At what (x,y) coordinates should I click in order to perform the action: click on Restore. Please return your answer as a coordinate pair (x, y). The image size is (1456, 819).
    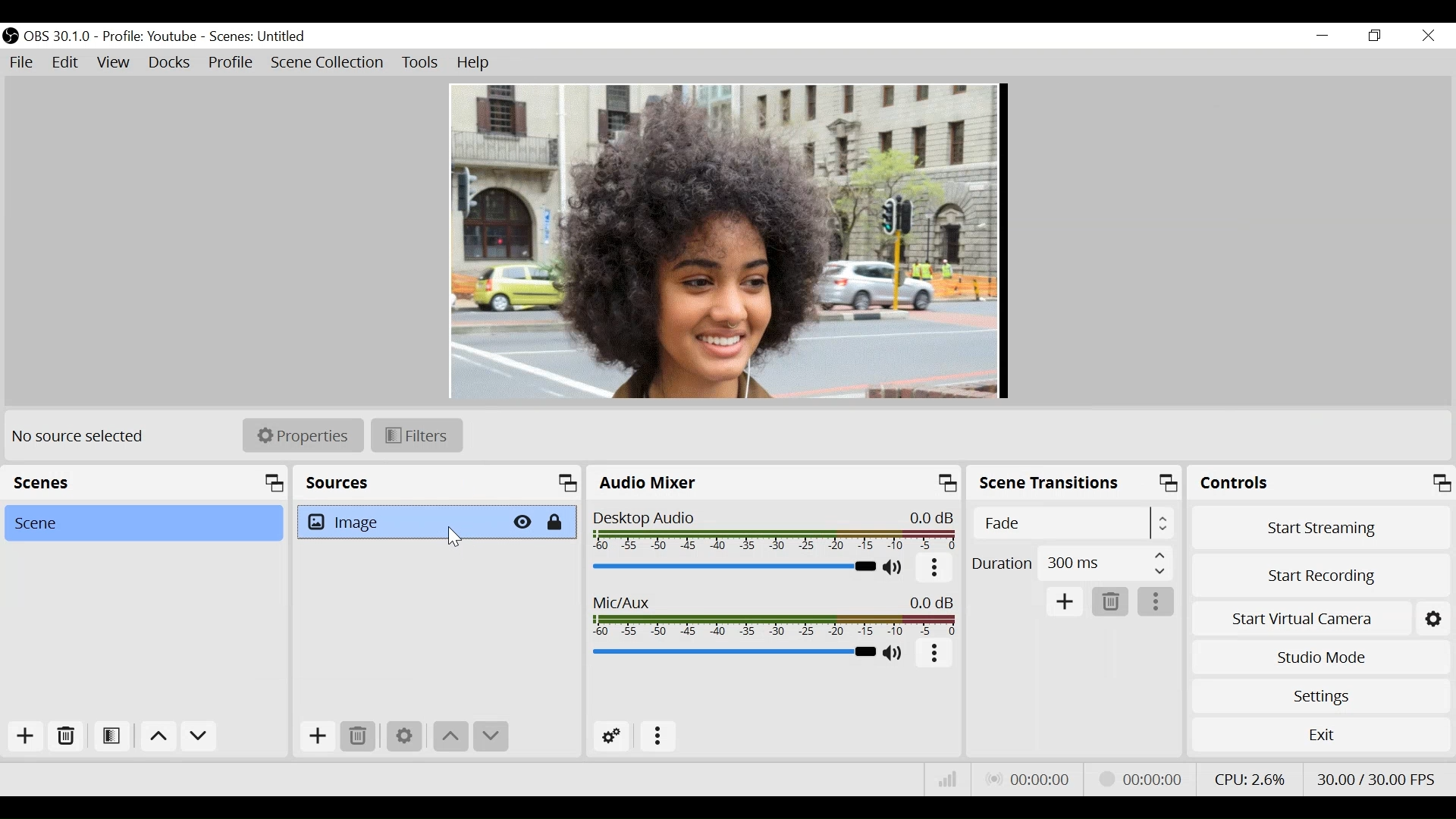
    Looking at the image, I should click on (1378, 36).